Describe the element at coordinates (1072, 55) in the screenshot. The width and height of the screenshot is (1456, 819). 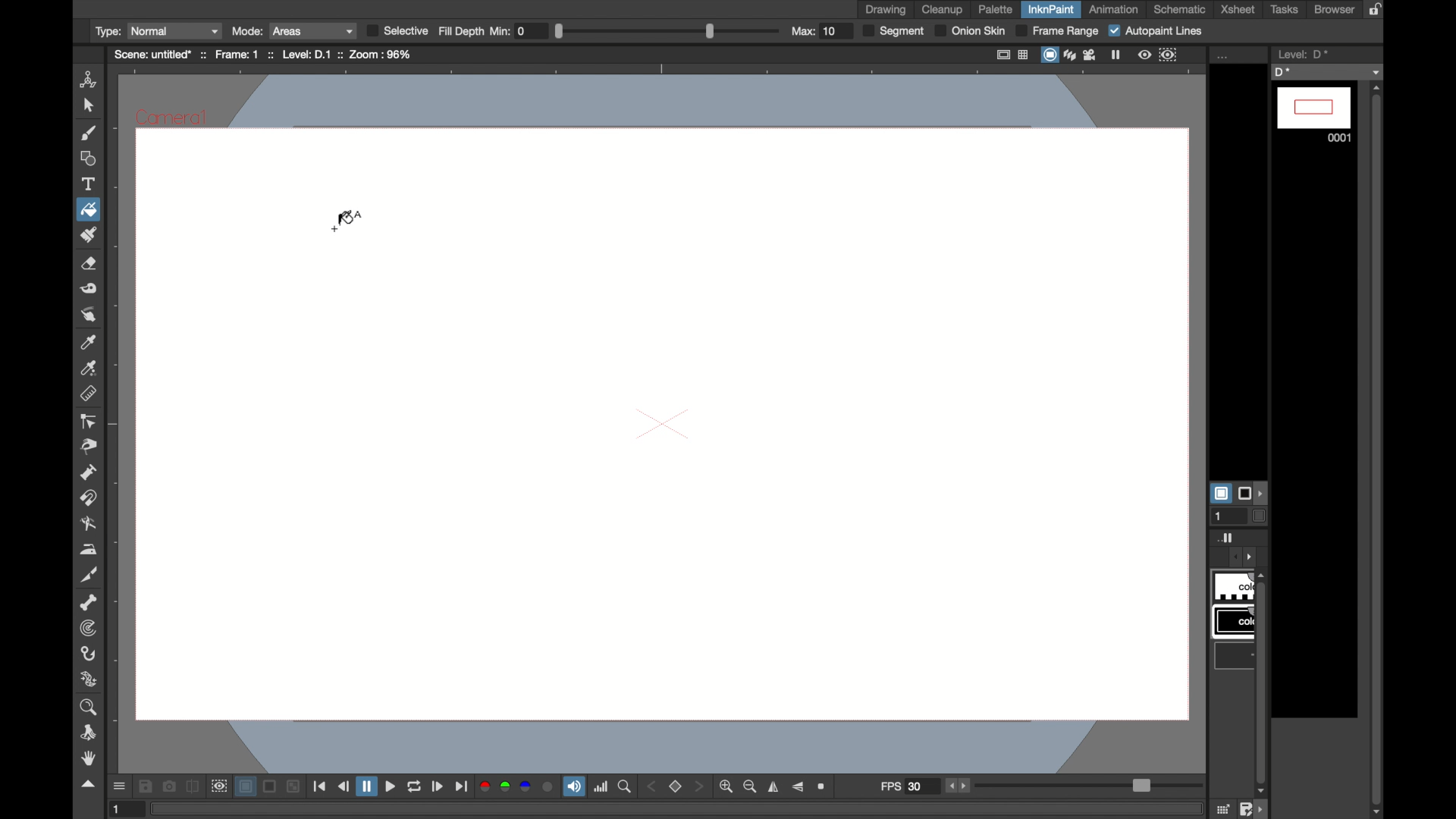
I see `layers` at that location.